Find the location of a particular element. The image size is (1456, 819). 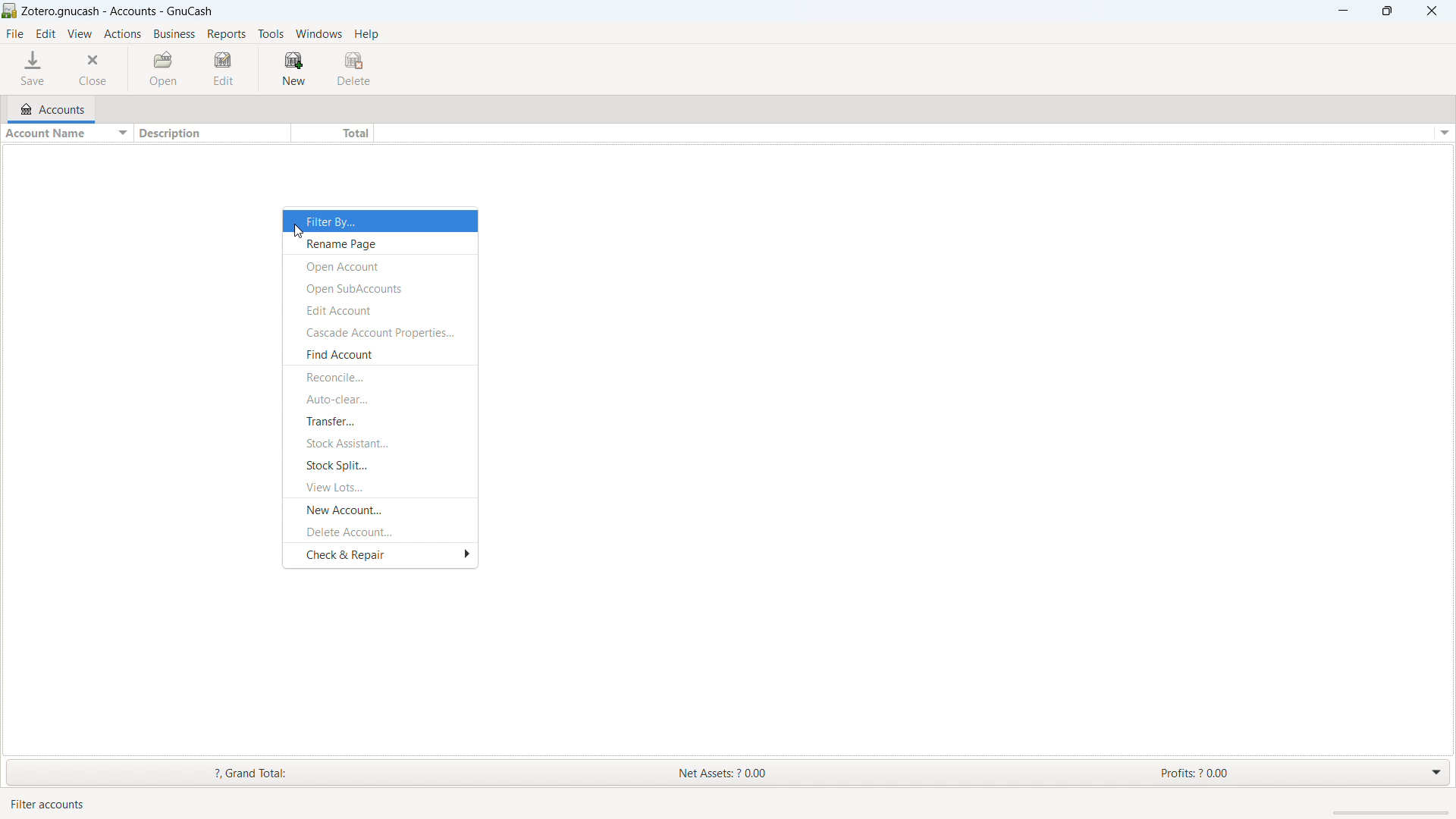

new is located at coordinates (292, 67).